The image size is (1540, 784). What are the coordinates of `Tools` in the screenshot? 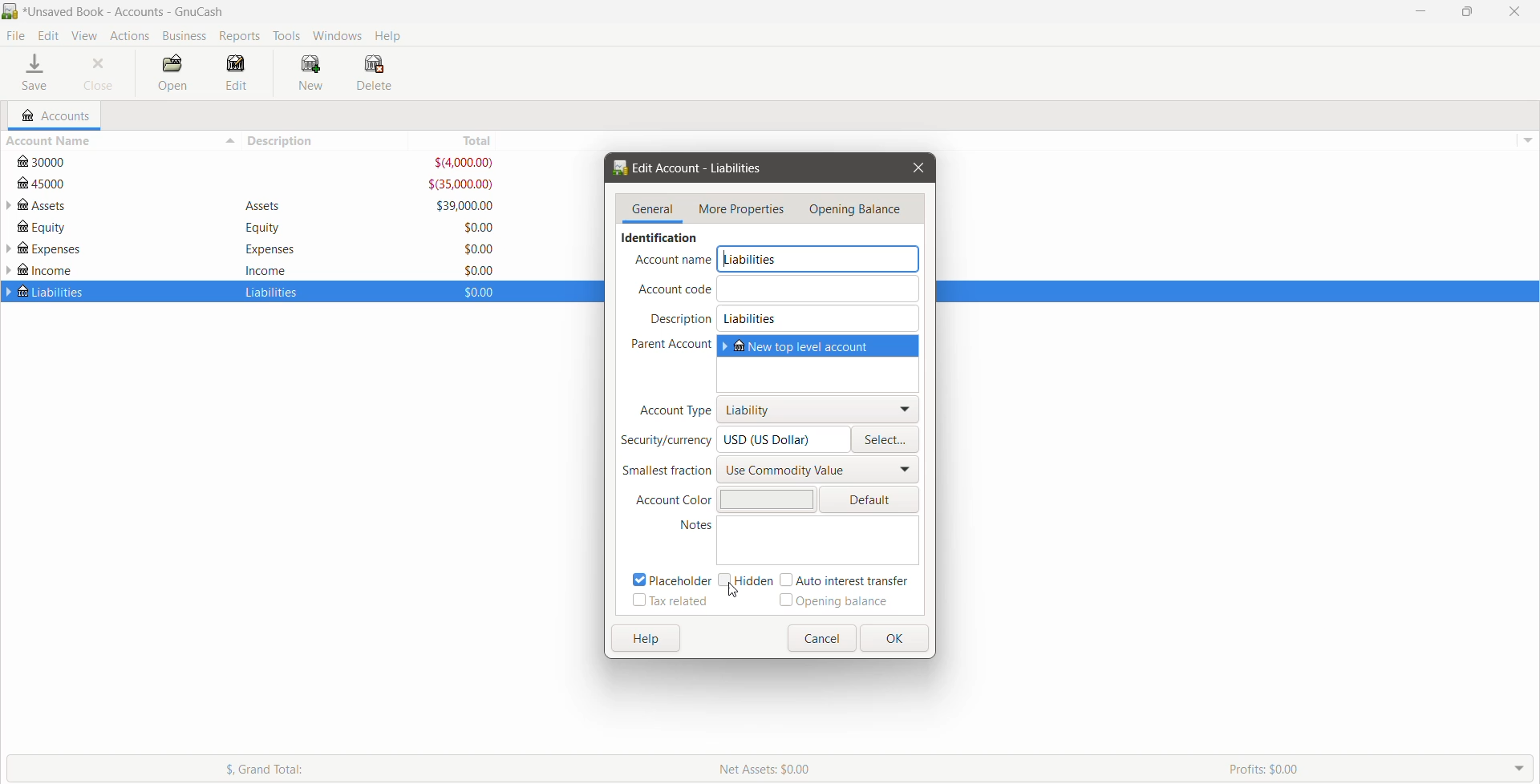 It's located at (287, 36).